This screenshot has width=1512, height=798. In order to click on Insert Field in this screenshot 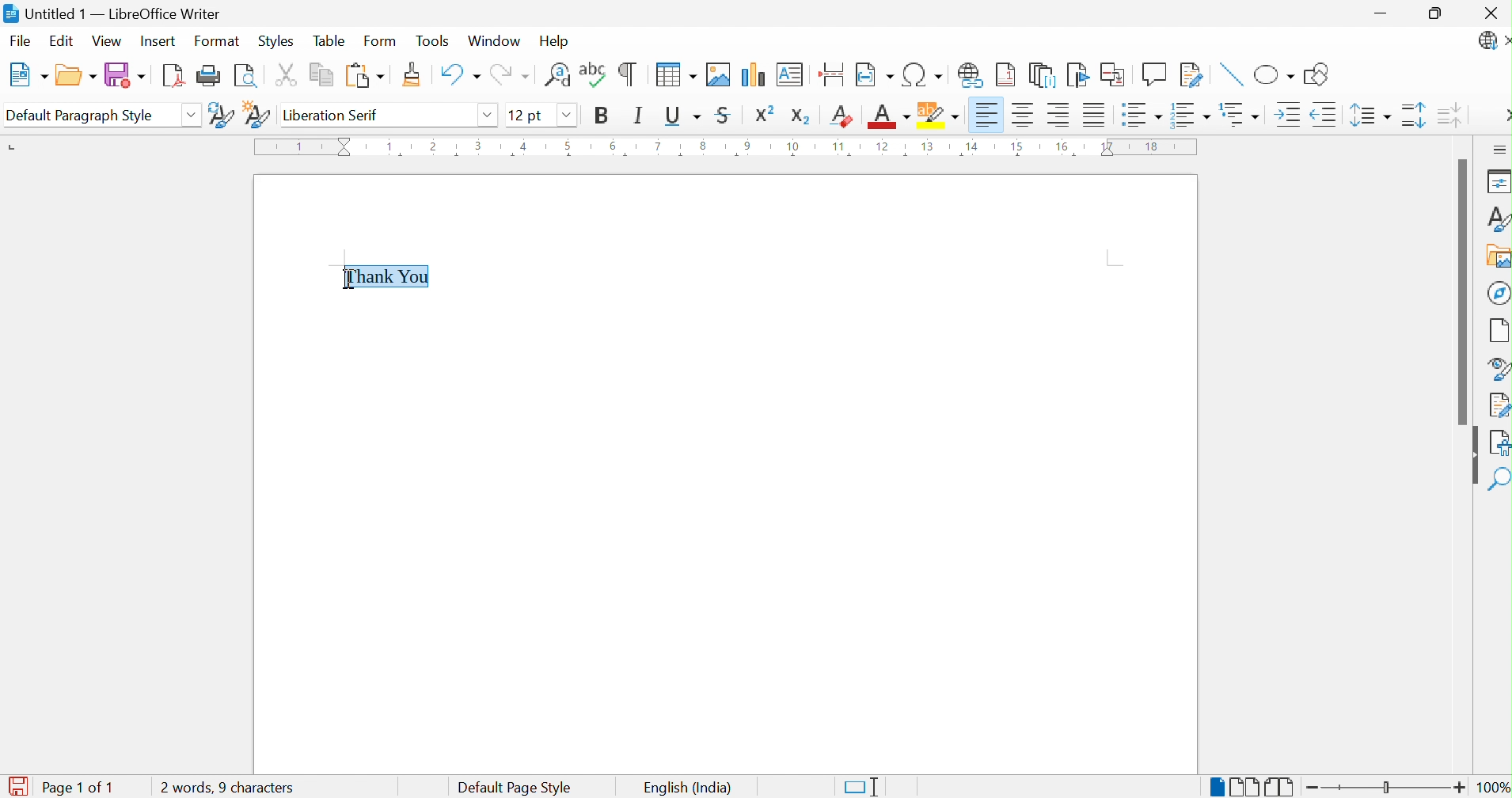, I will do `click(873, 74)`.